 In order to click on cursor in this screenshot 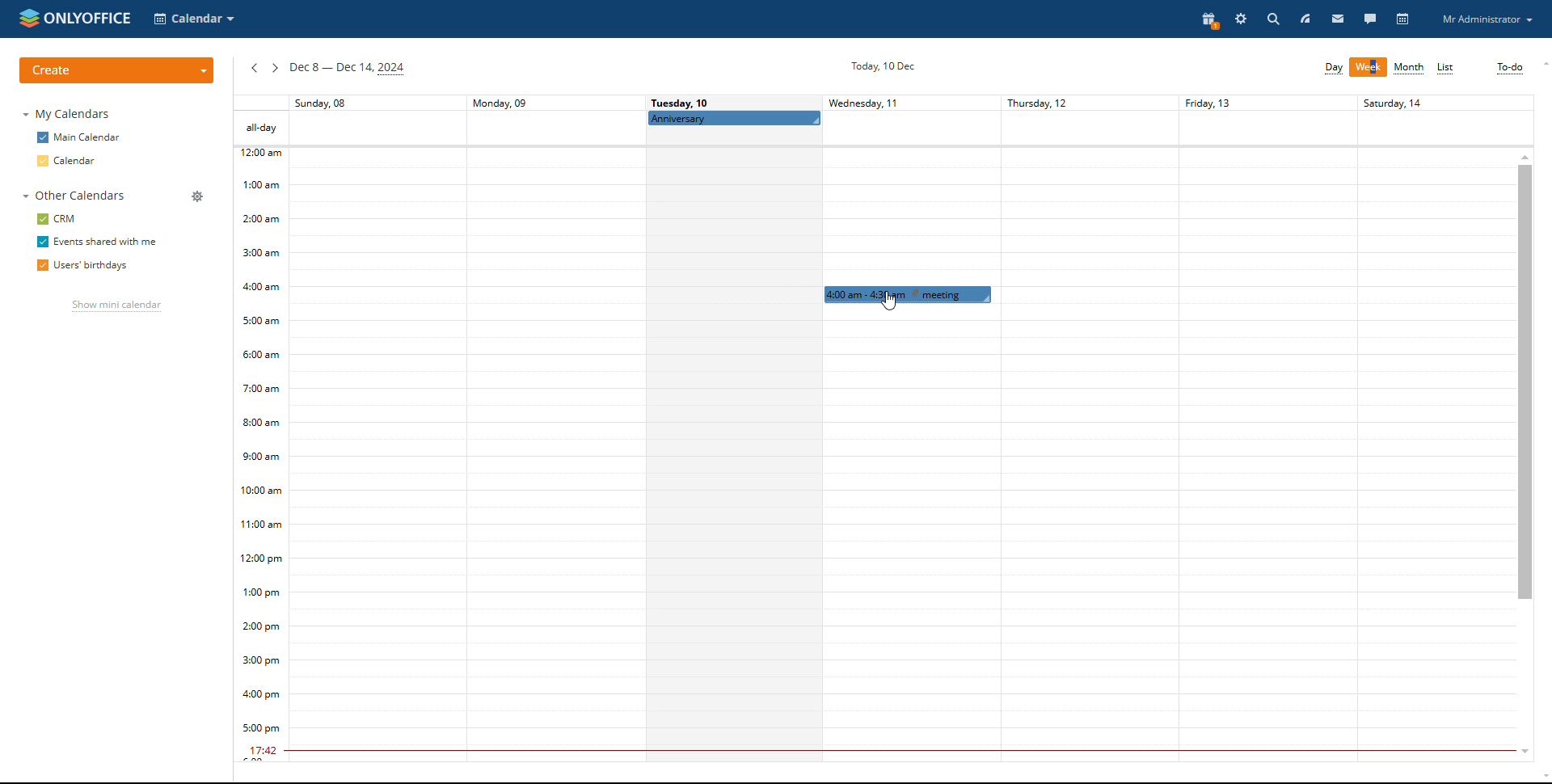, I will do `click(888, 301)`.